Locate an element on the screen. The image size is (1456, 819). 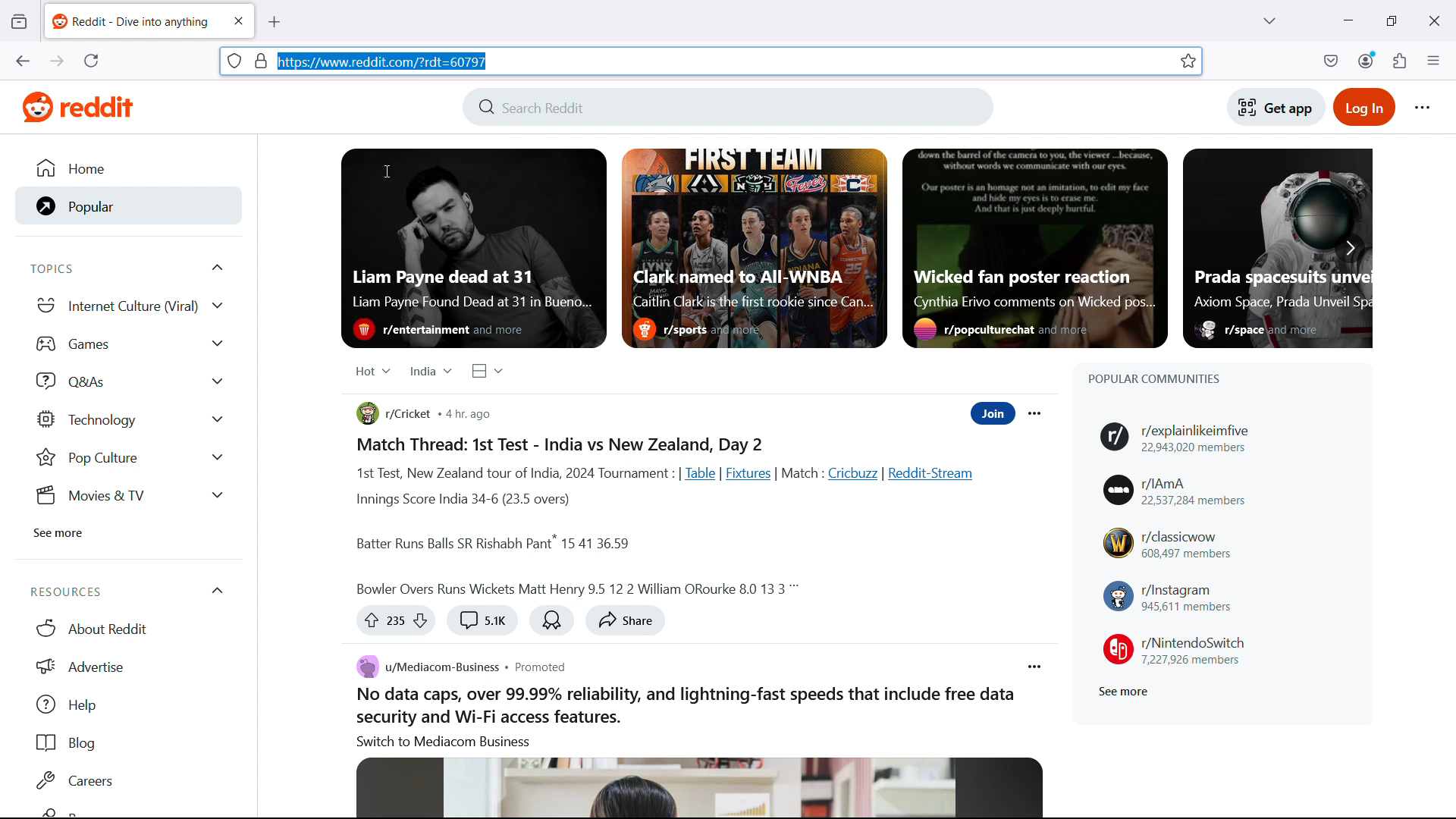
games is located at coordinates (131, 342).